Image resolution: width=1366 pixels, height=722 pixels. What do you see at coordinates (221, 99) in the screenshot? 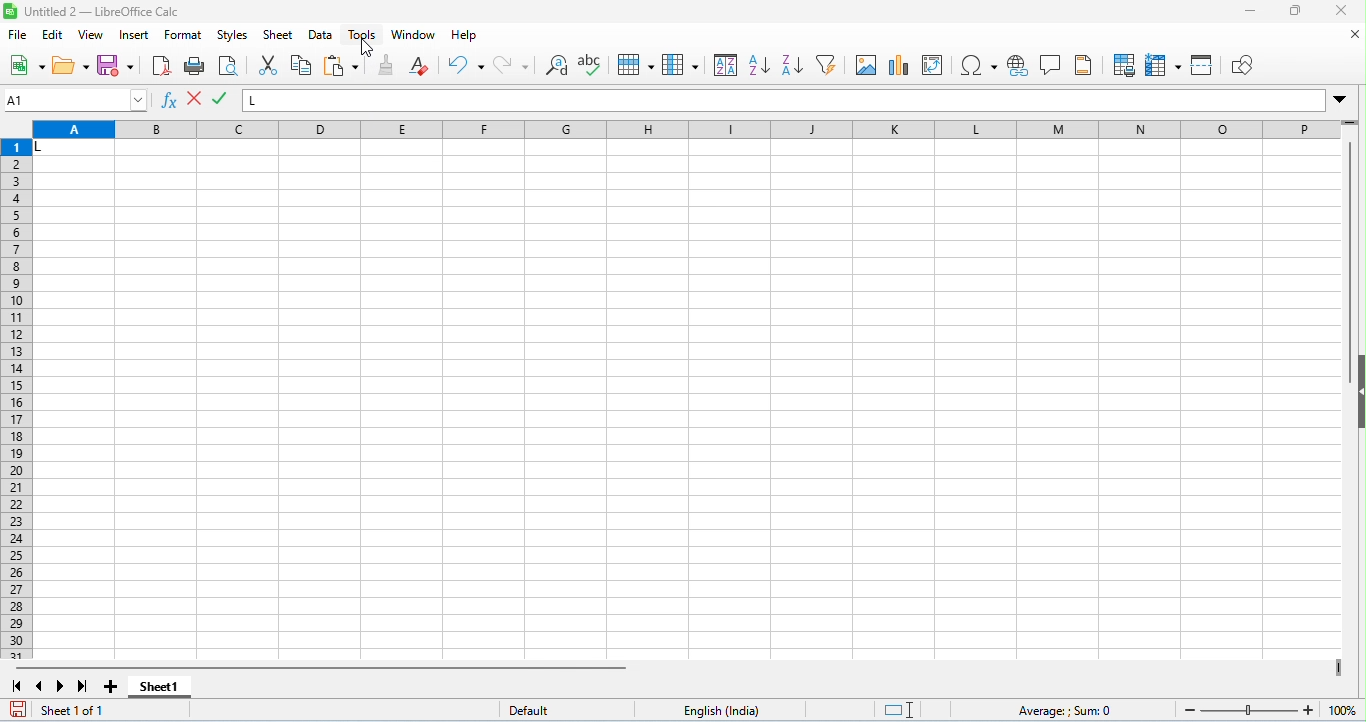
I see `reject` at bounding box center [221, 99].